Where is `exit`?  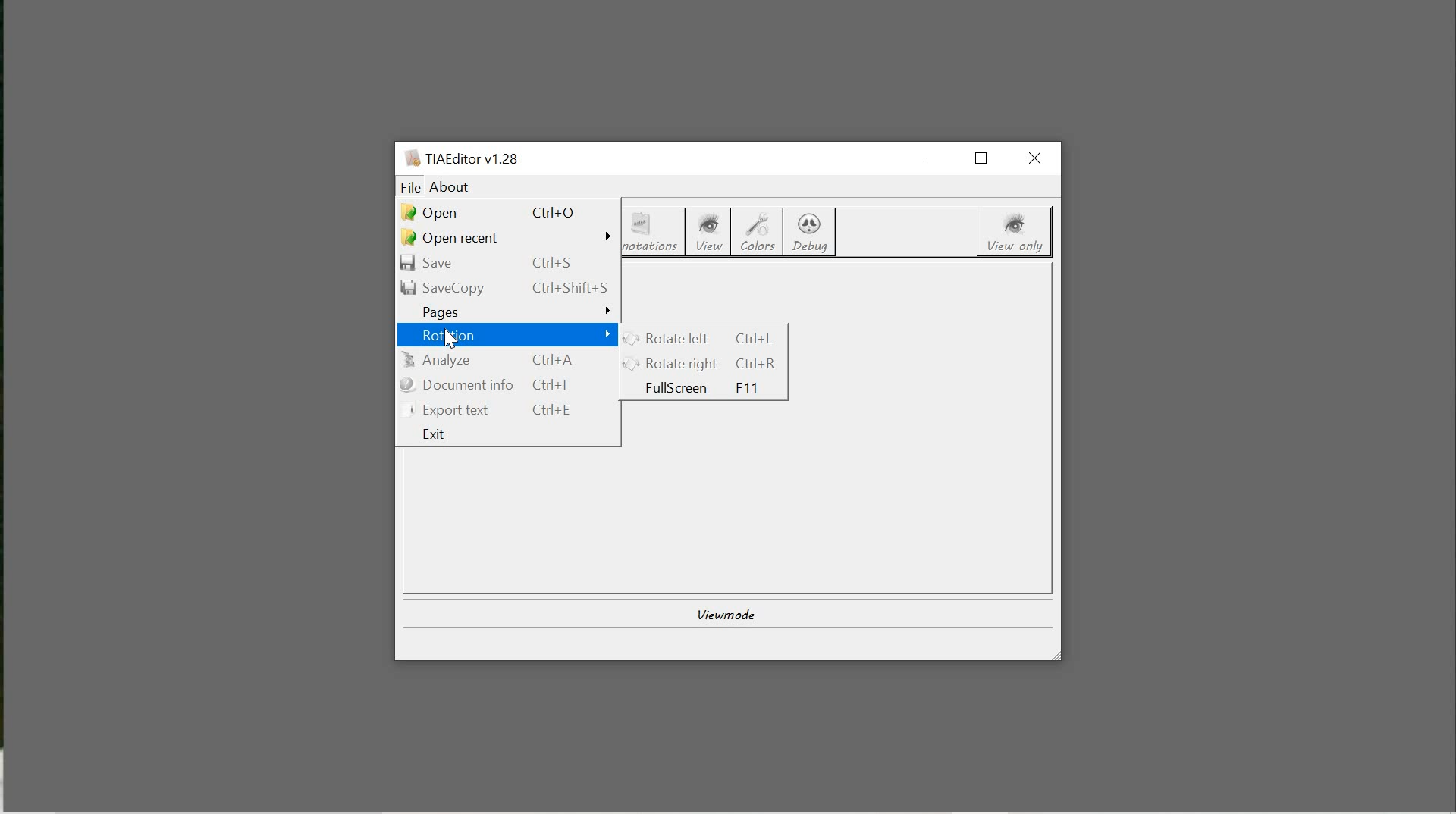
exit is located at coordinates (510, 434).